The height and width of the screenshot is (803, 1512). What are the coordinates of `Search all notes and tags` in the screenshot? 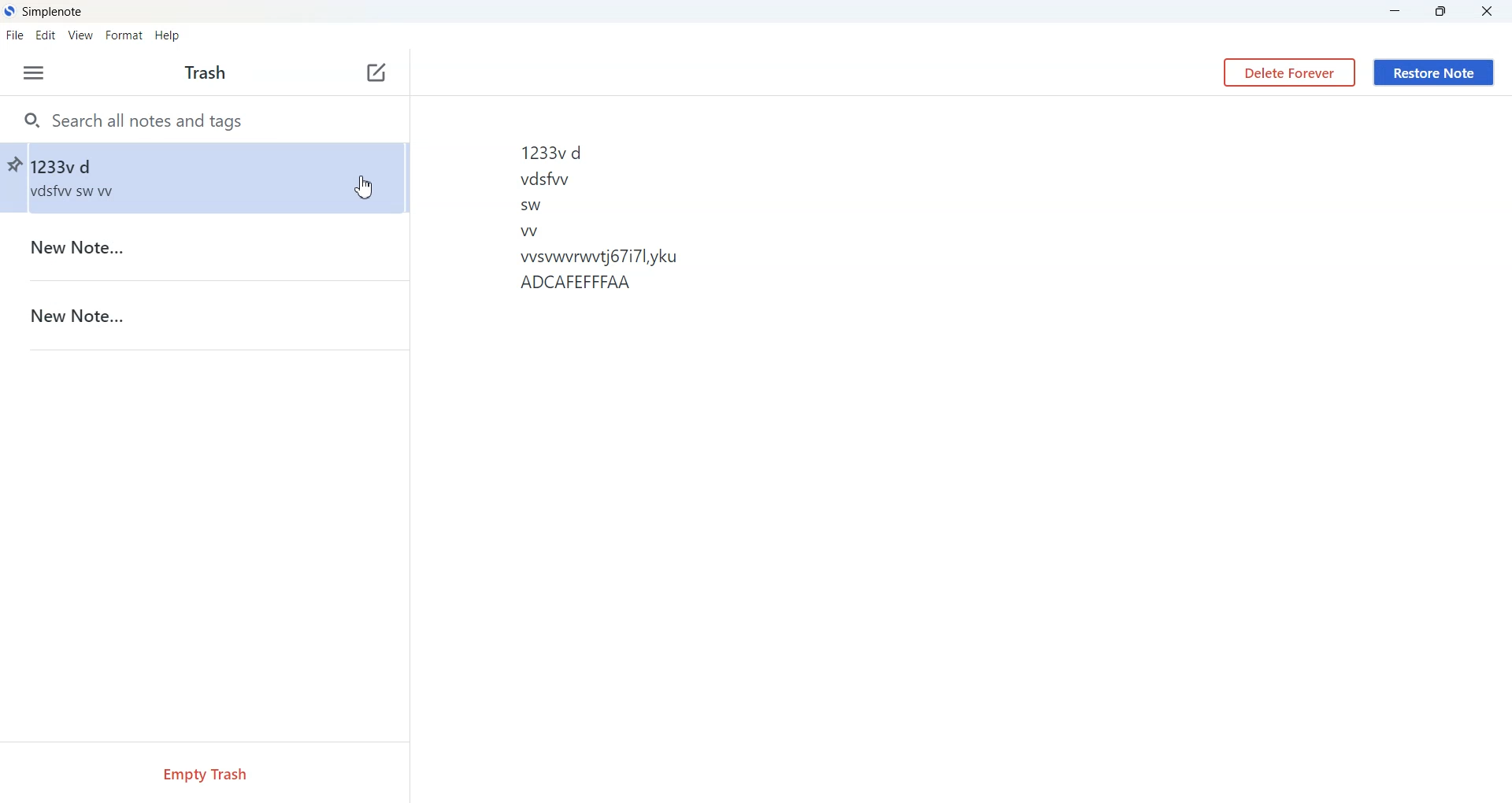 It's located at (204, 119).